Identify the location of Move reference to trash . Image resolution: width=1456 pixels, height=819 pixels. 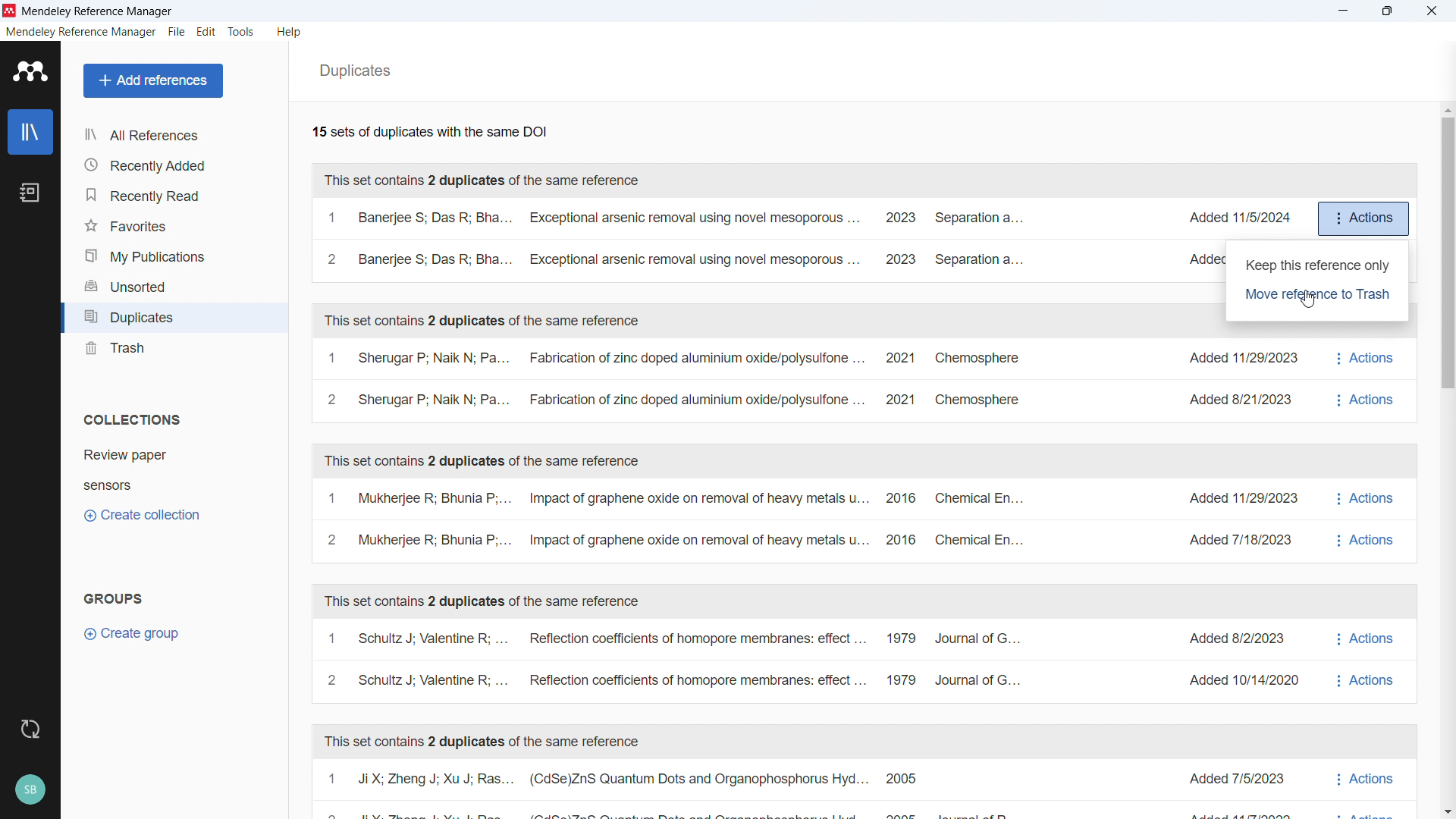
(1317, 296).